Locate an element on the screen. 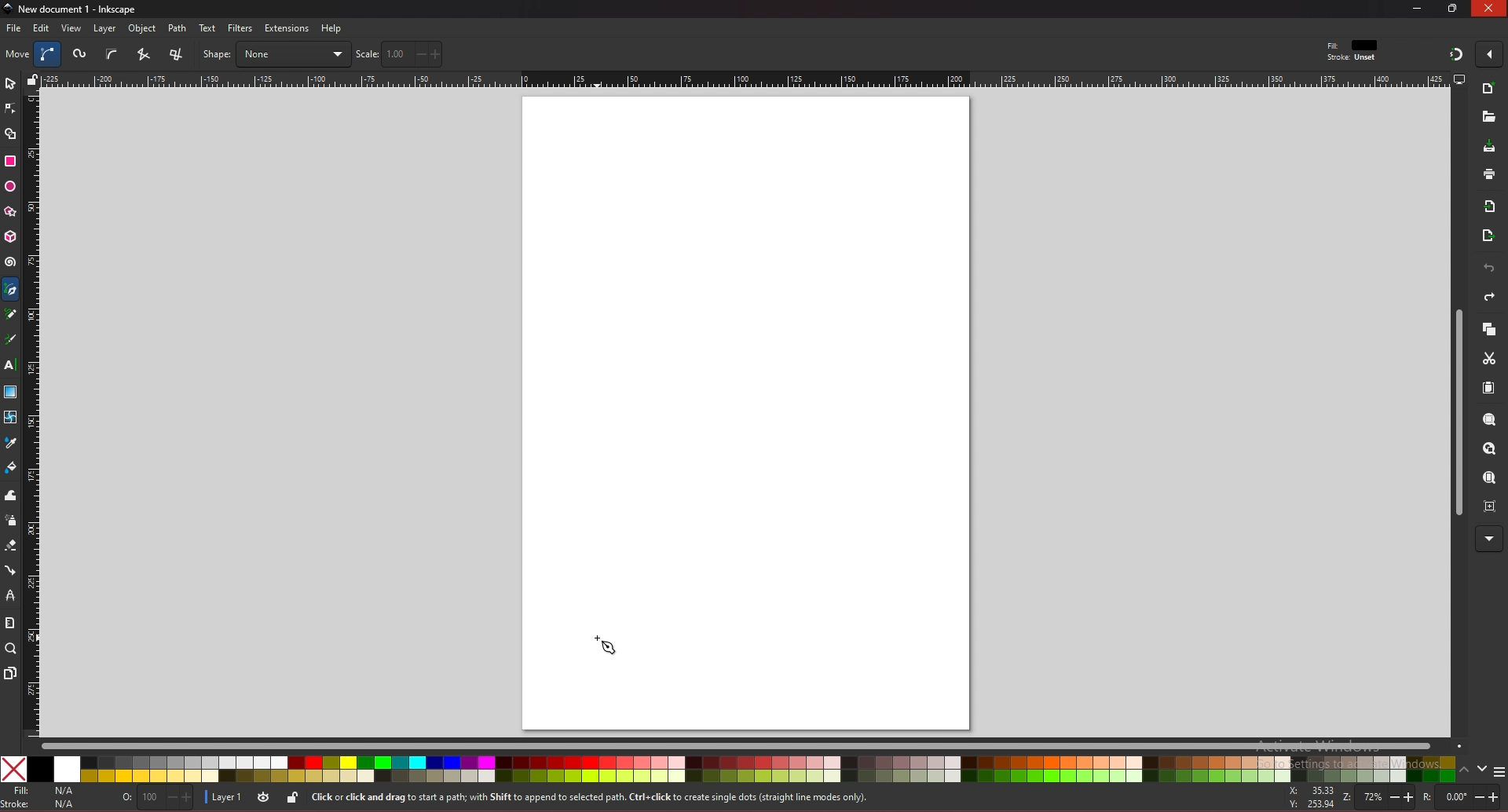  redo is located at coordinates (1489, 297).